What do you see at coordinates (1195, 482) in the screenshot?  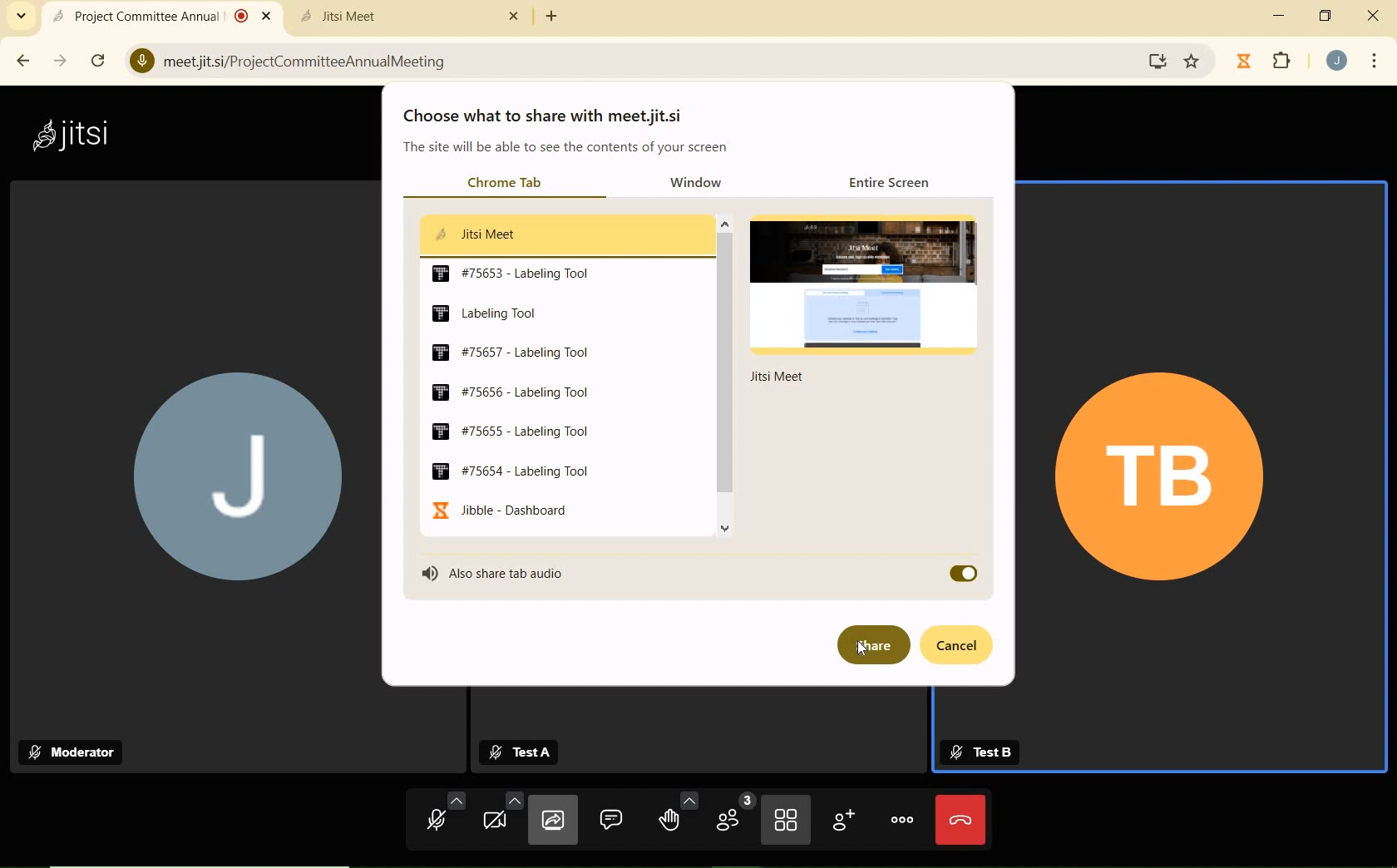 I see `TB` at bounding box center [1195, 482].